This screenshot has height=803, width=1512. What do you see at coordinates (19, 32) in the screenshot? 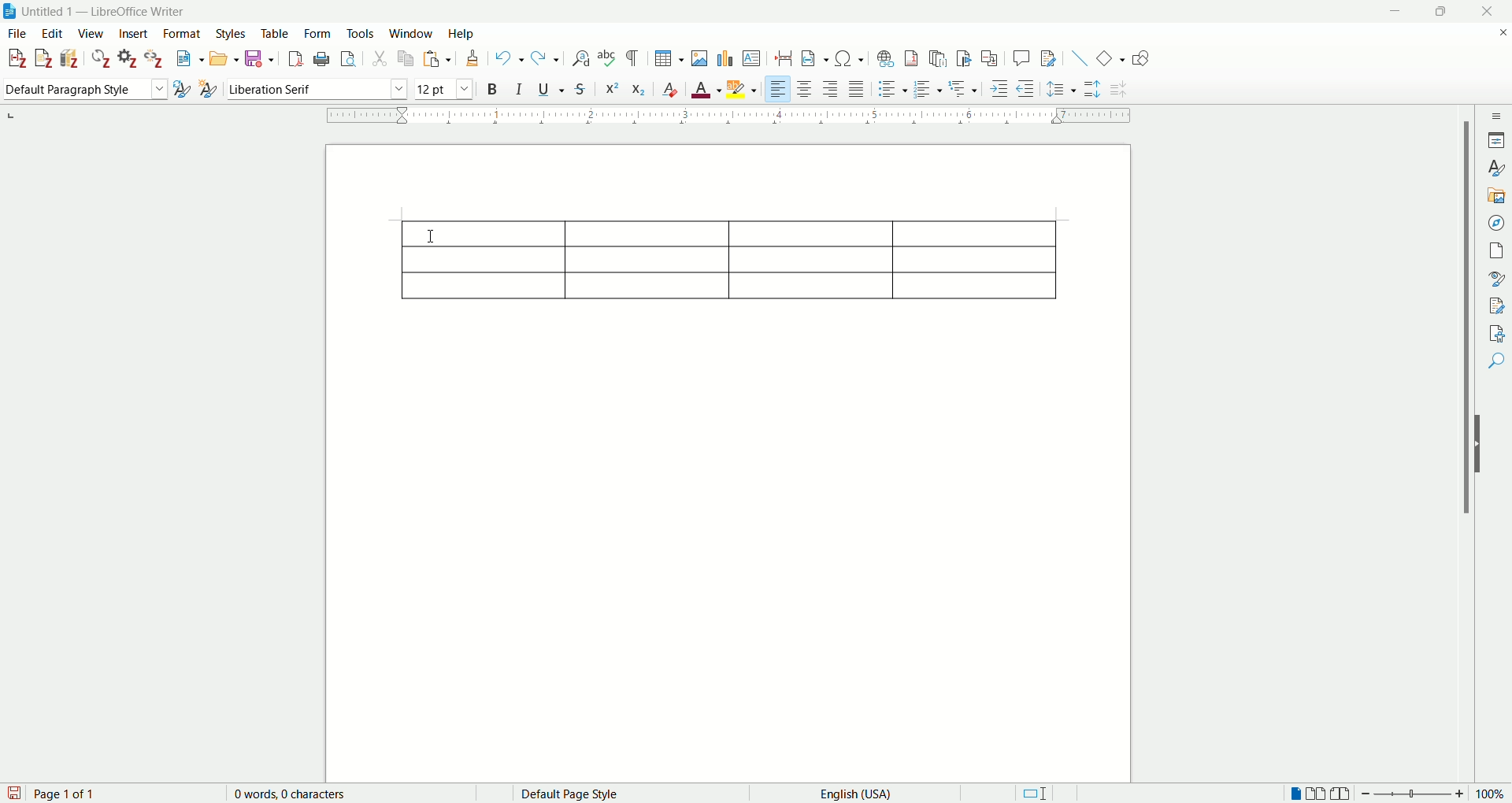
I see `file` at bounding box center [19, 32].